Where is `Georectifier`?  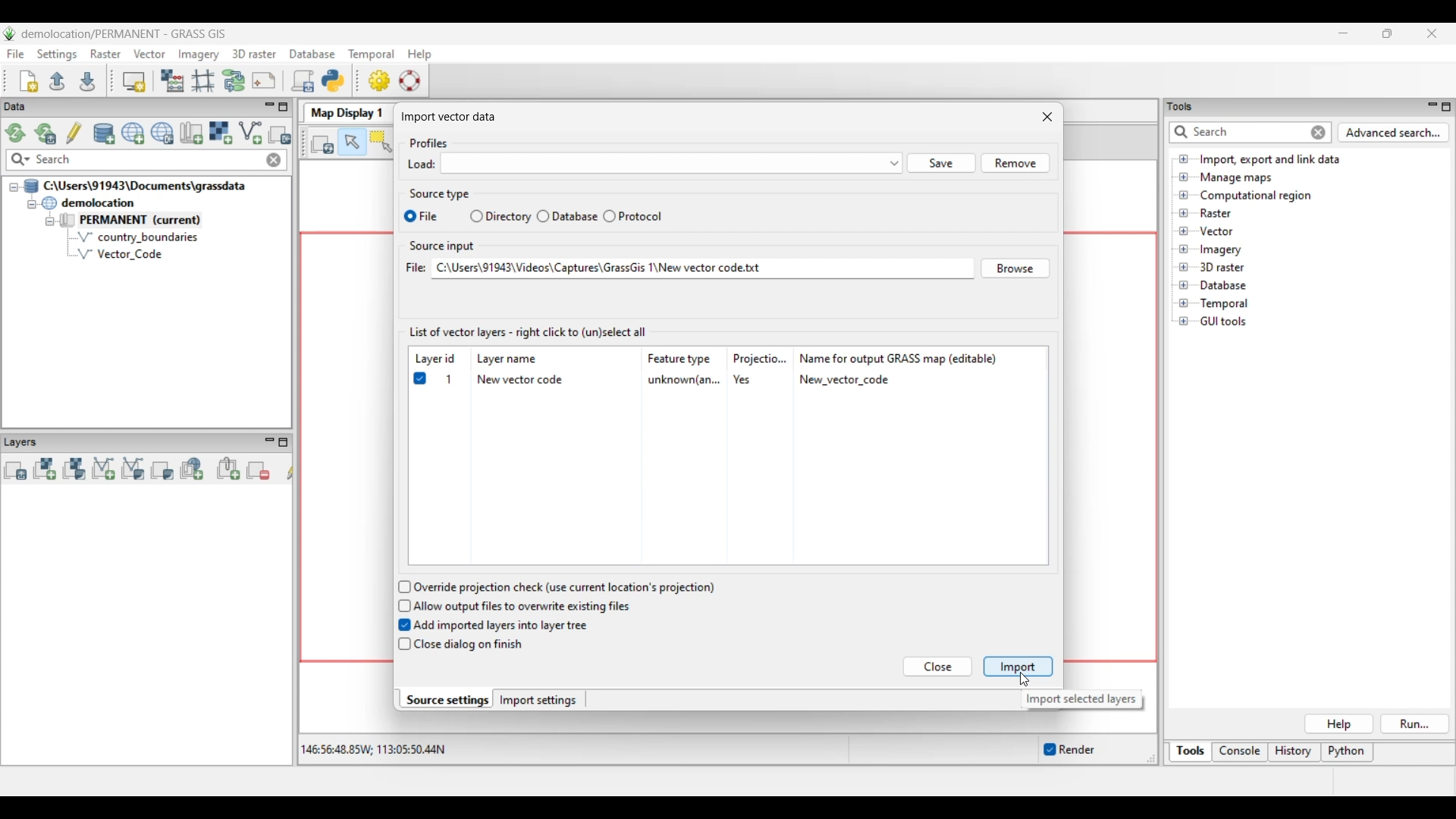
Georectifier is located at coordinates (203, 81).